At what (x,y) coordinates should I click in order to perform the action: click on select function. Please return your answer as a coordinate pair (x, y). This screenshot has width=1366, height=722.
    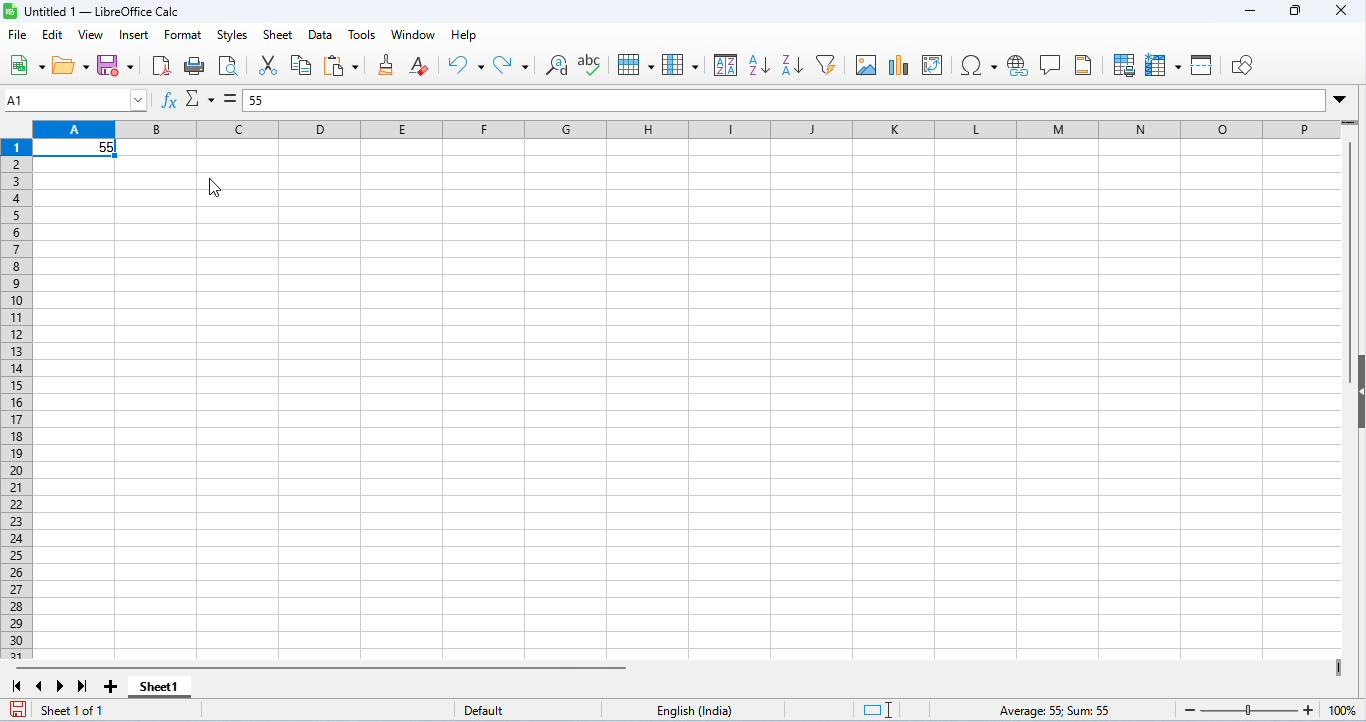
    Looking at the image, I should click on (201, 97).